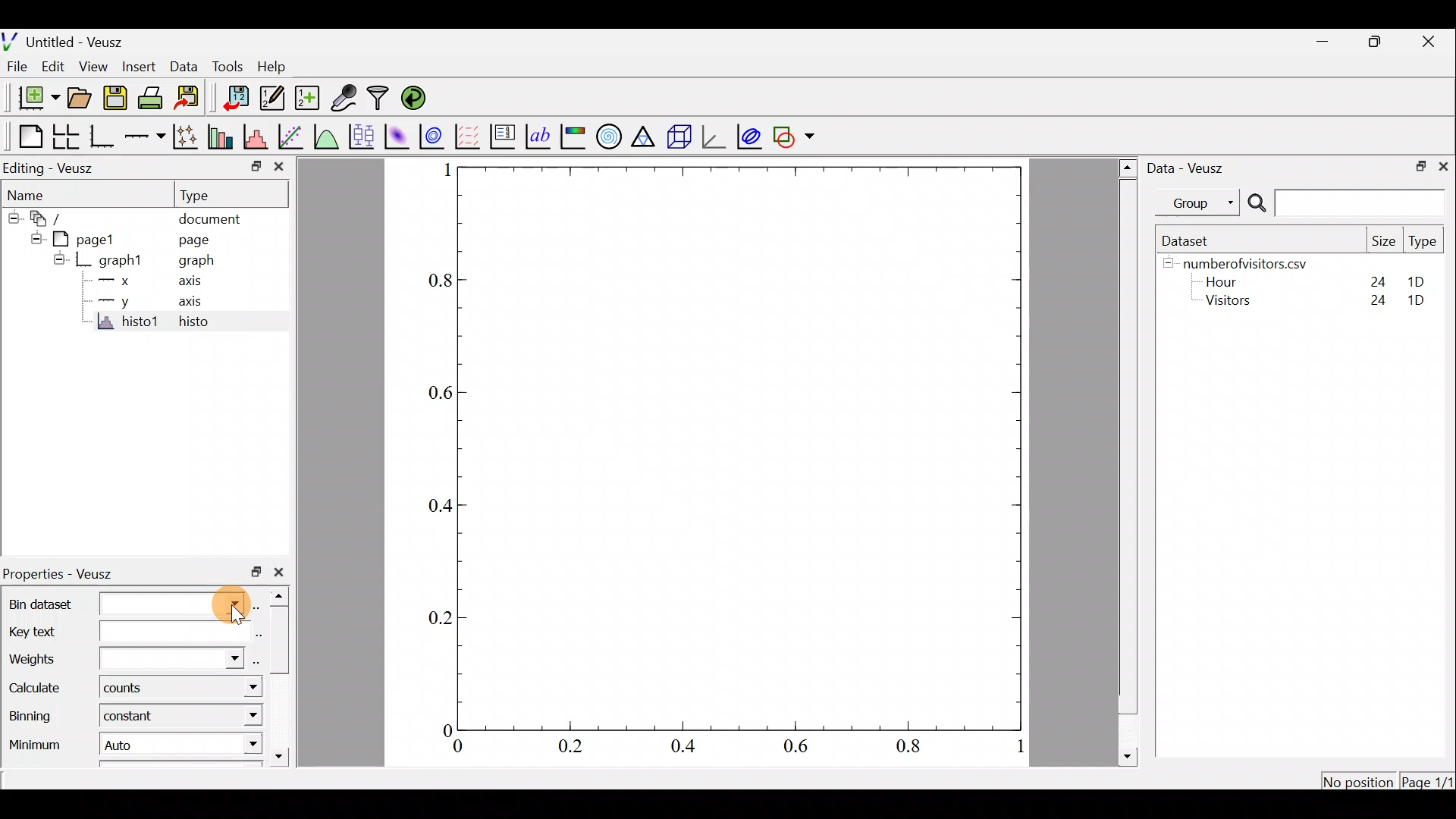 This screenshot has width=1456, height=819. Describe the element at coordinates (90, 240) in the screenshot. I see `page1` at that location.